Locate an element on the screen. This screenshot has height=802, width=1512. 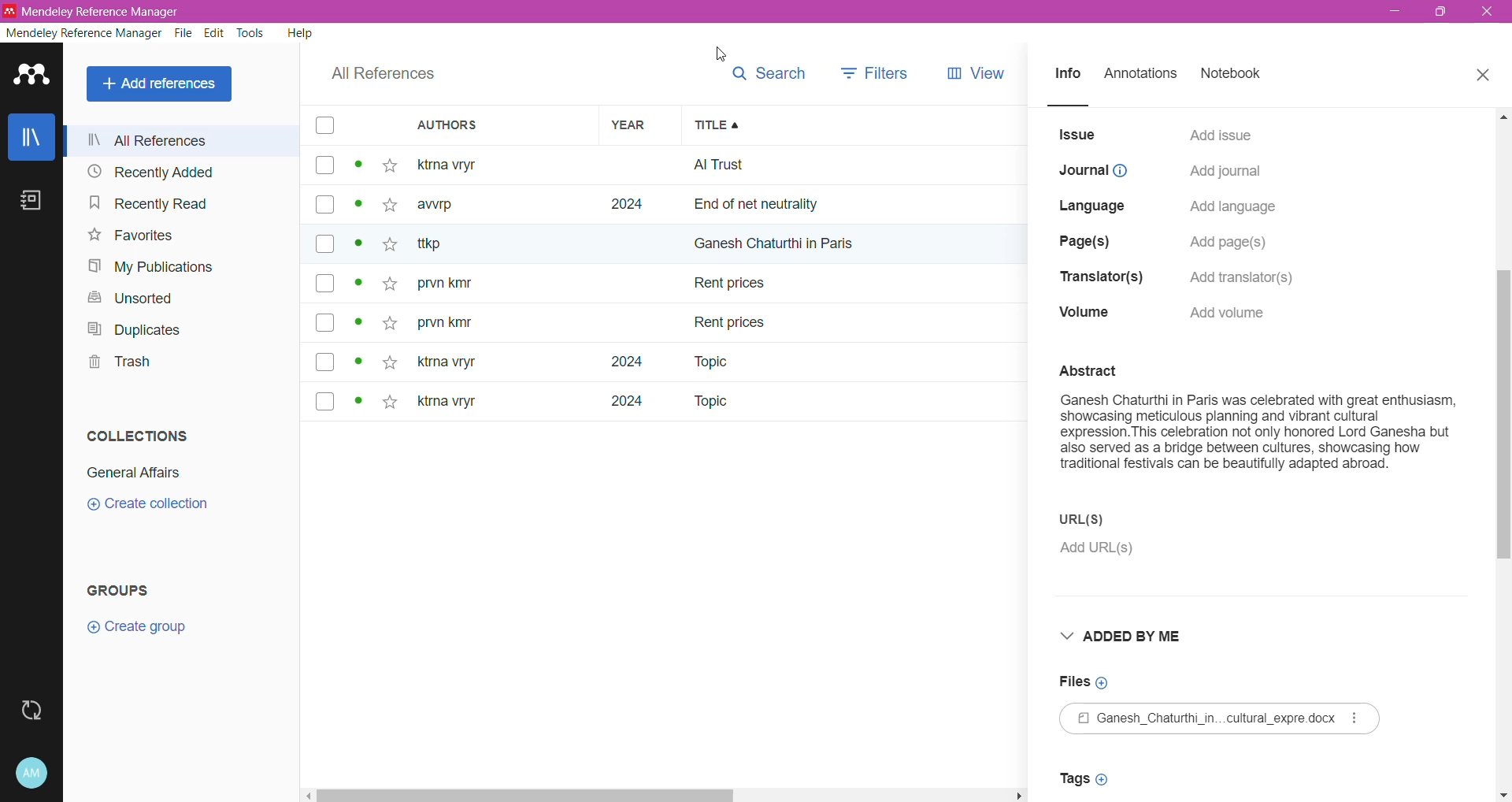
Edit is located at coordinates (215, 34).